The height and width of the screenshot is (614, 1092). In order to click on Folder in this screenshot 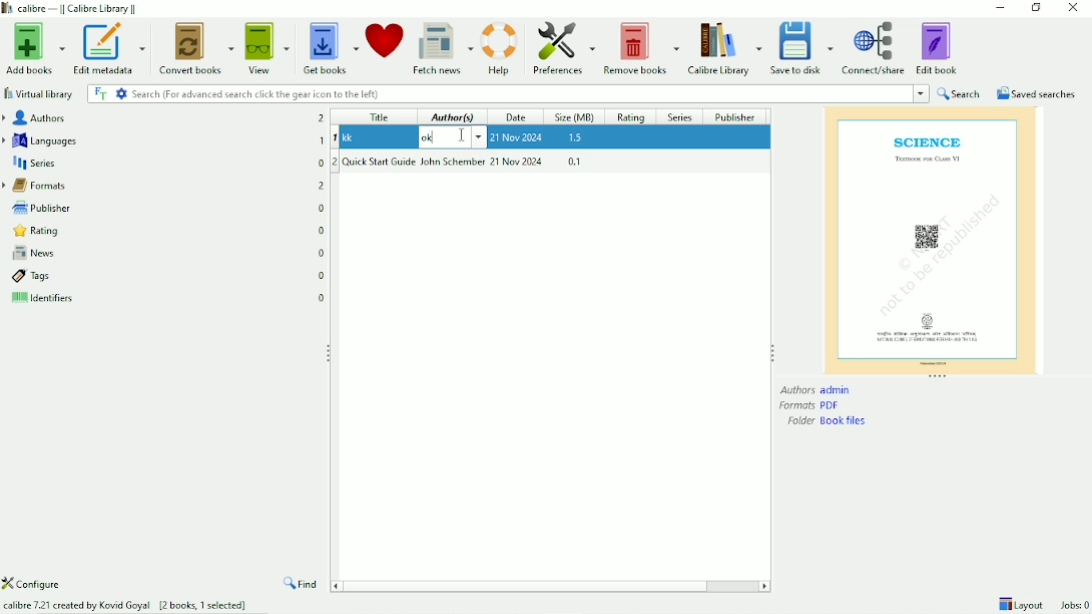, I will do `click(829, 421)`.